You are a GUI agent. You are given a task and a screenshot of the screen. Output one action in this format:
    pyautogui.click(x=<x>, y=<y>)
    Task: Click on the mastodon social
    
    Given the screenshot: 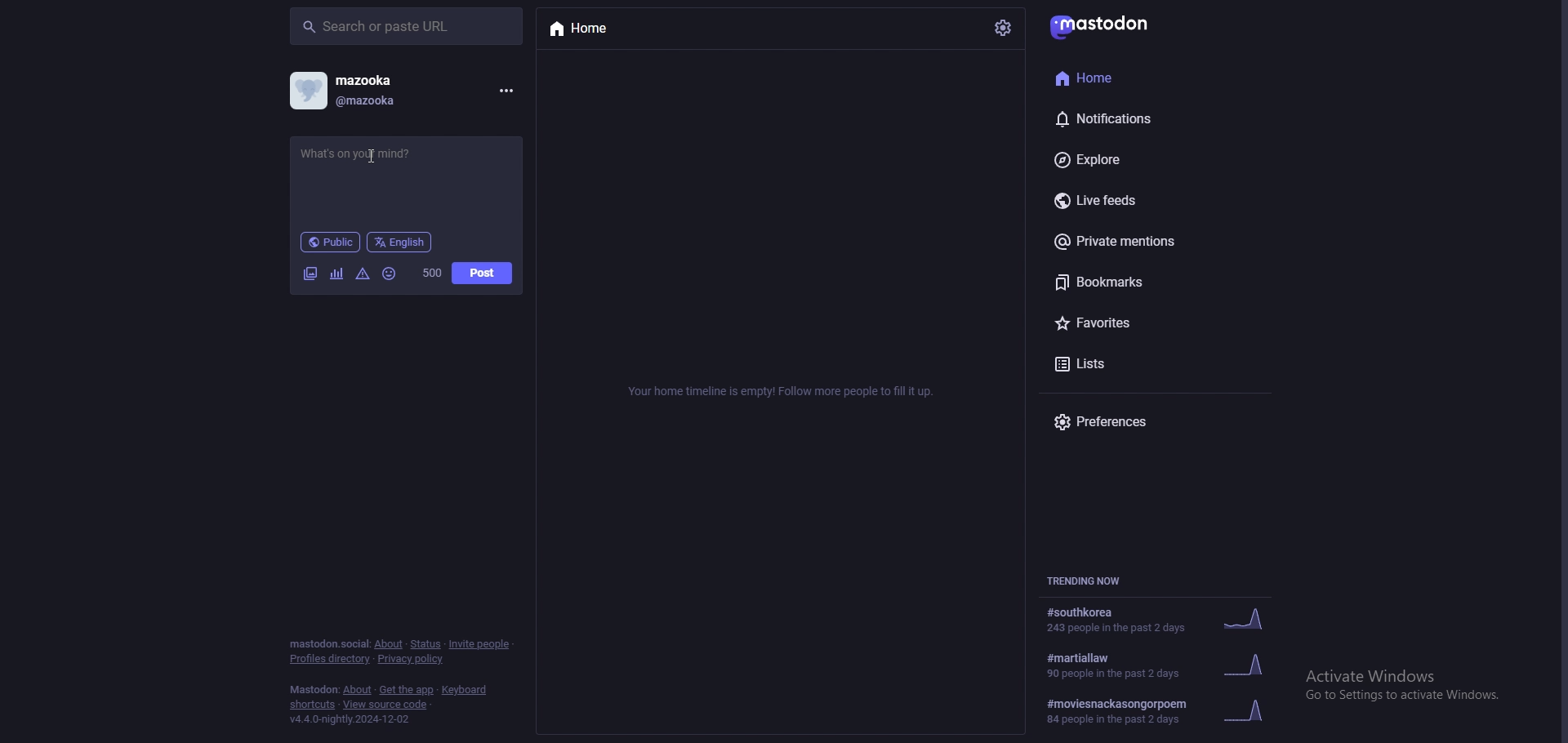 What is the action you would take?
    pyautogui.click(x=328, y=644)
    